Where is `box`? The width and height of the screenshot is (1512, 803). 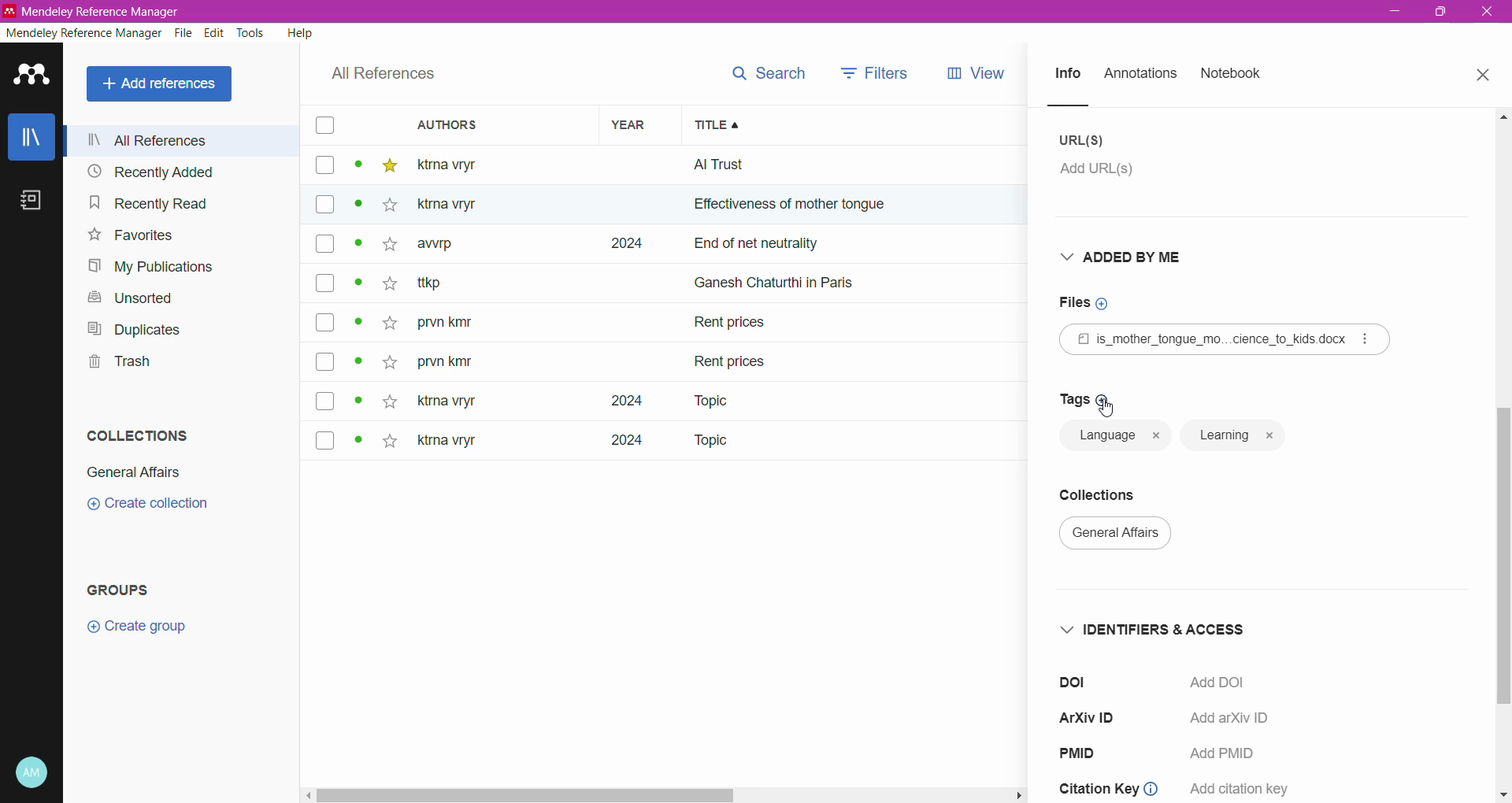
box is located at coordinates (324, 205).